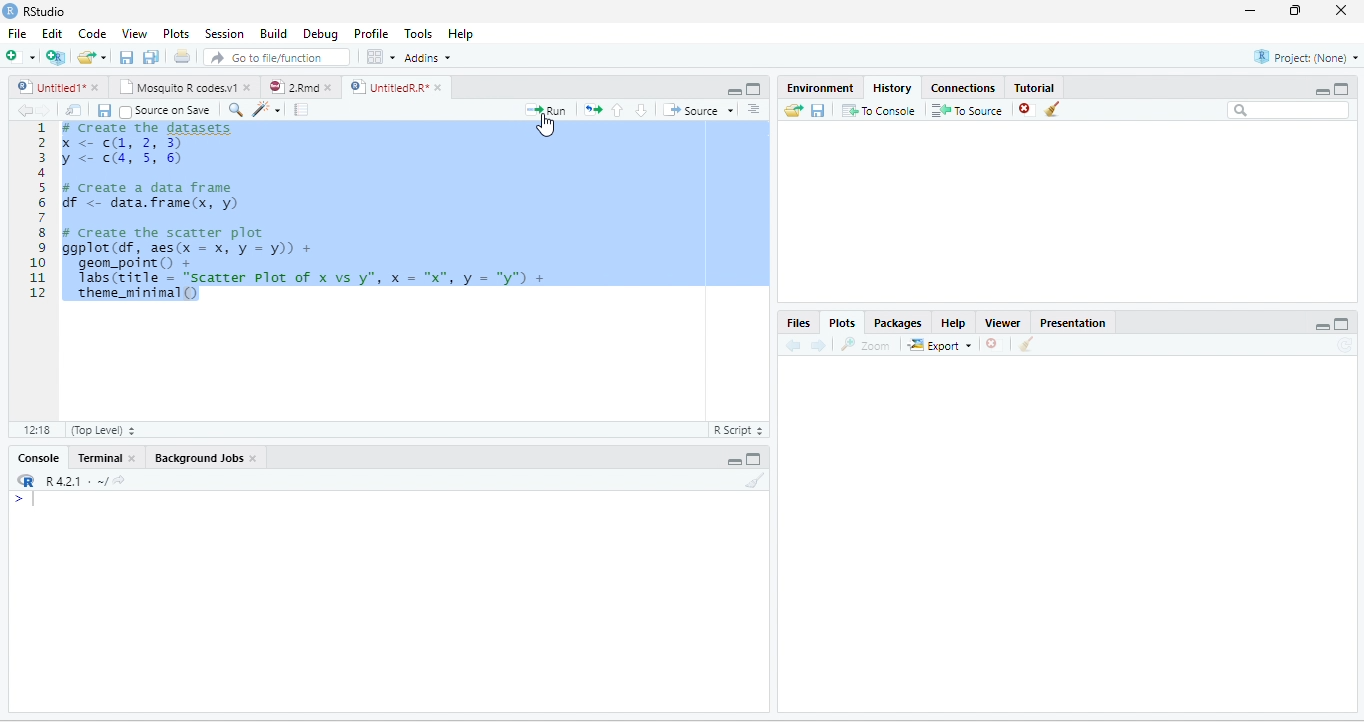 Image resolution: width=1364 pixels, height=722 pixels. Describe the element at coordinates (379, 56) in the screenshot. I see `Workspace panes` at that location.